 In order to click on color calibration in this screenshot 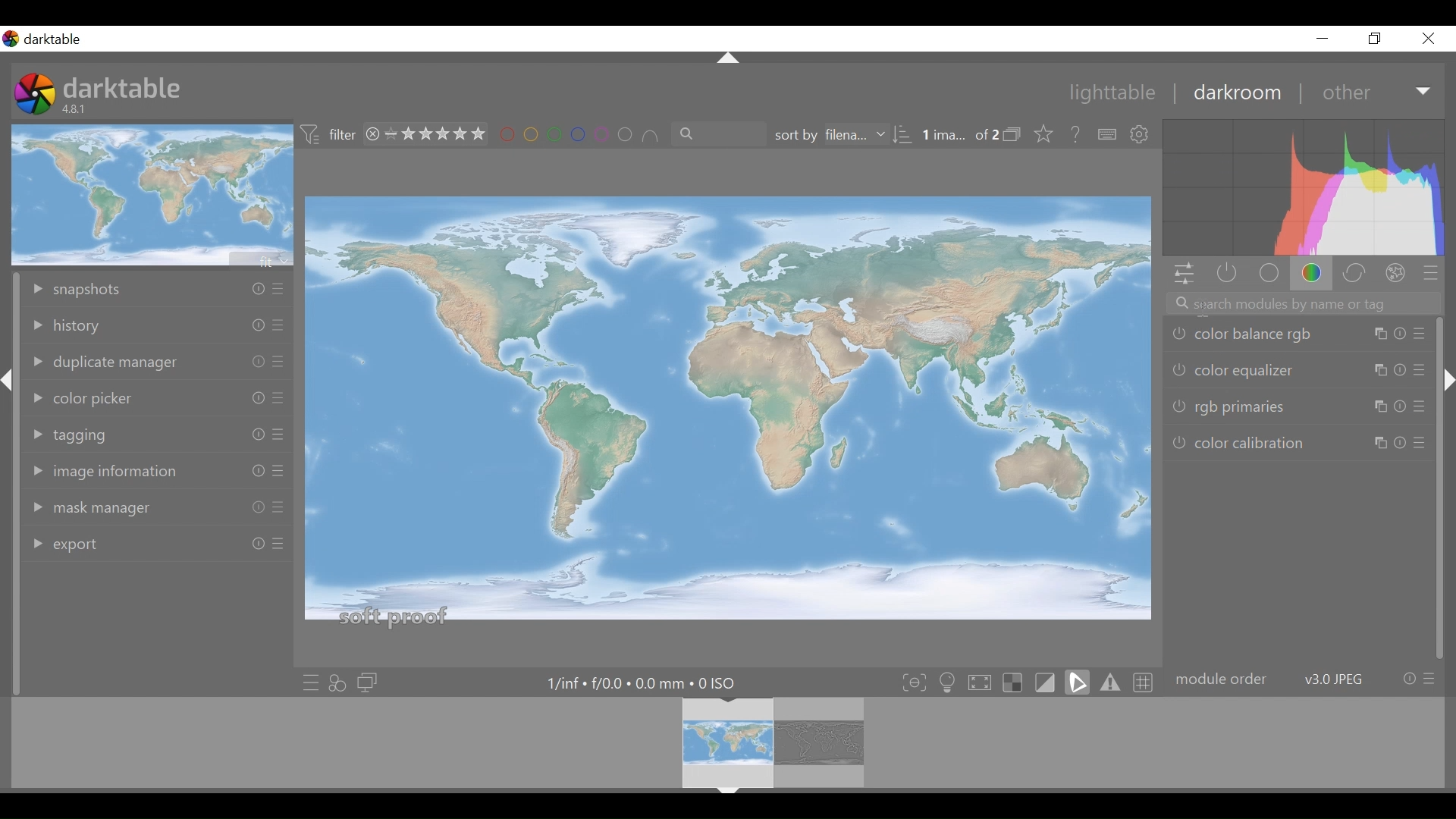, I will do `click(1300, 441)`.